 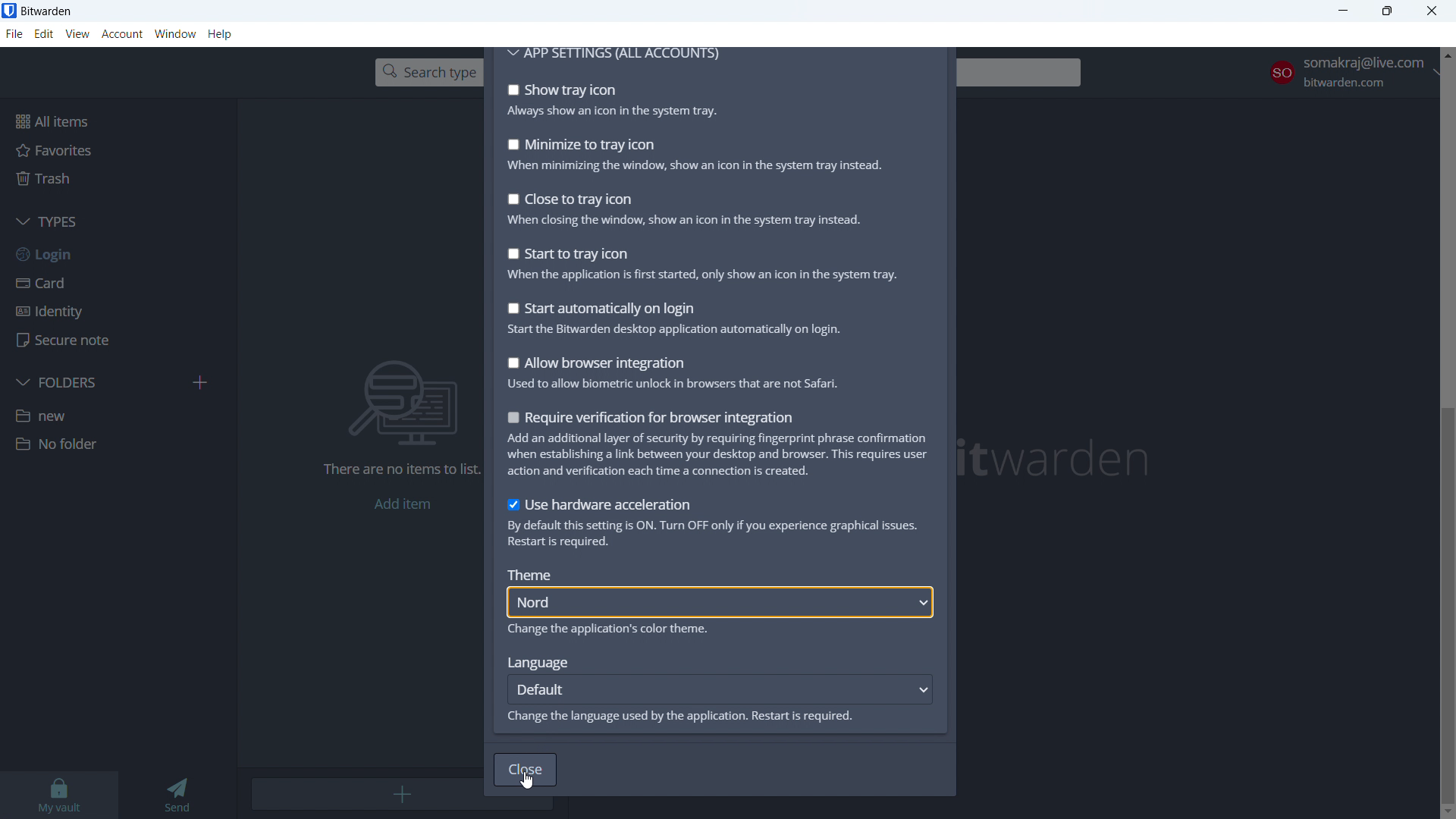 What do you see at coordinates (714, 209) in the screenshot?
I see `close to tray icon` at bounding box center [714, 209].